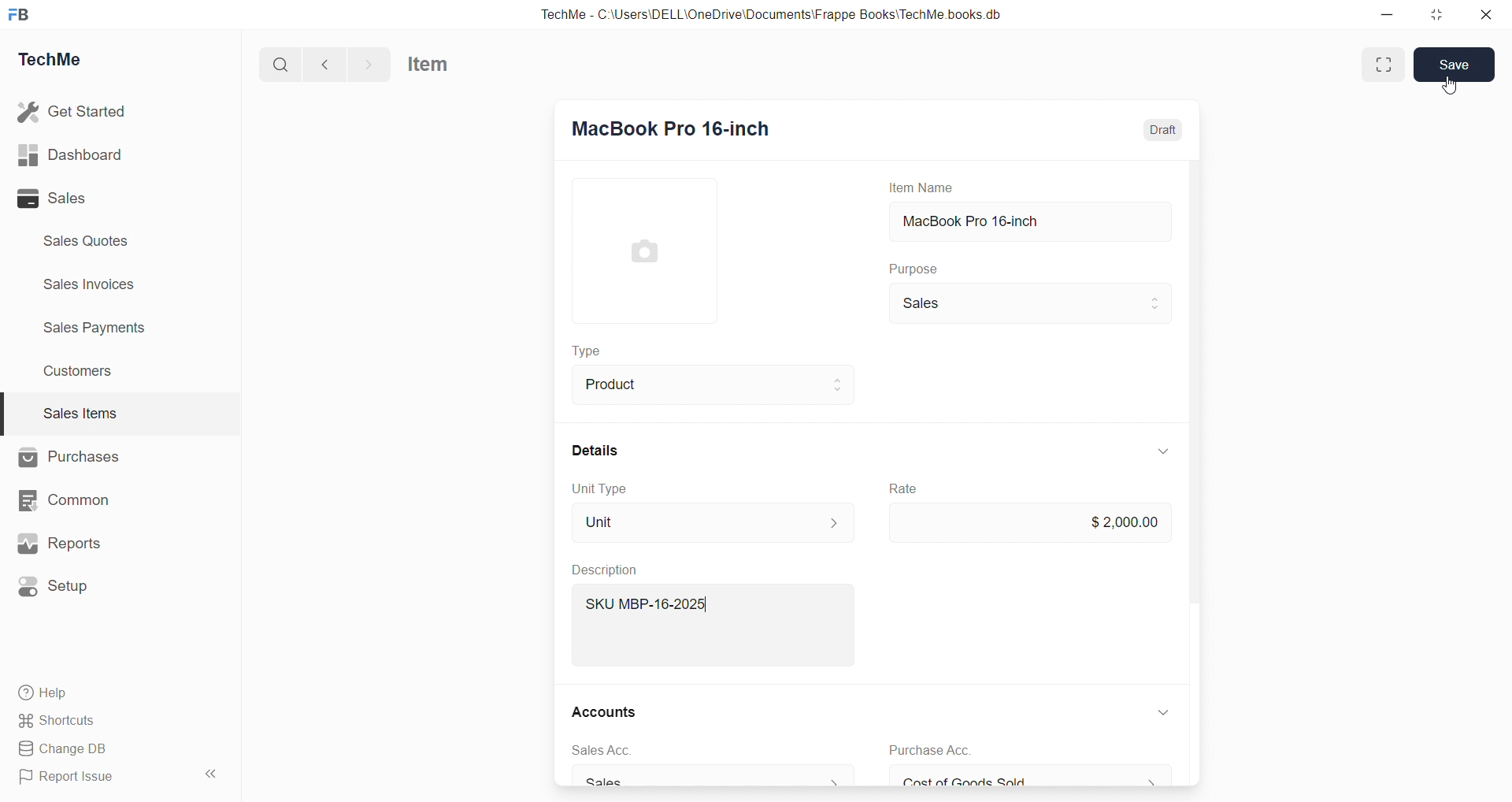  Describe the element at coordinates (585, 350) in the screenshot. I see `Type` at that location.